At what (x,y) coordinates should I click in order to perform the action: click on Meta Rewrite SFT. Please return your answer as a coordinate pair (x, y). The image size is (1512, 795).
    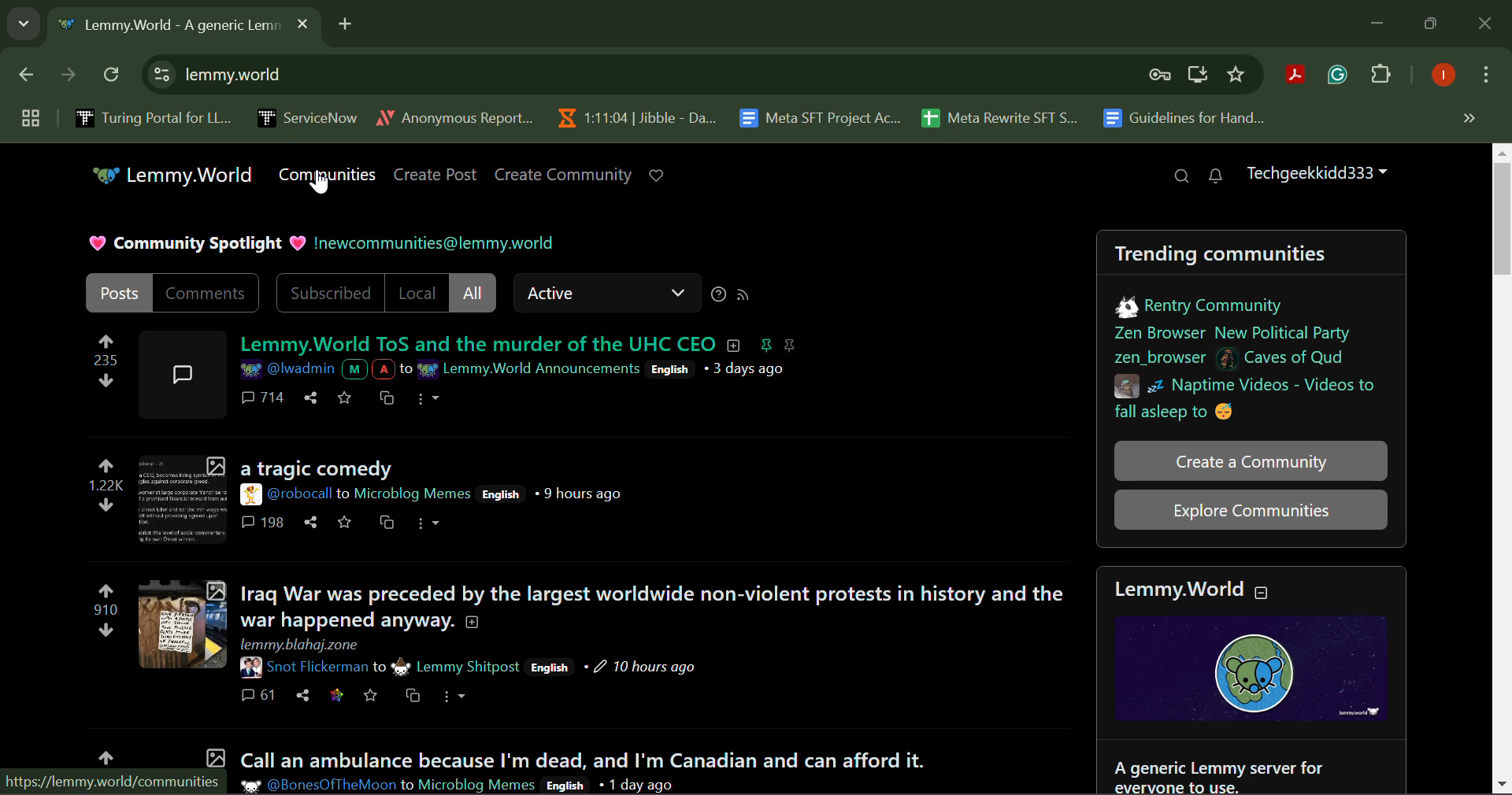
    Looking at the image, I should click on (1006, 116).